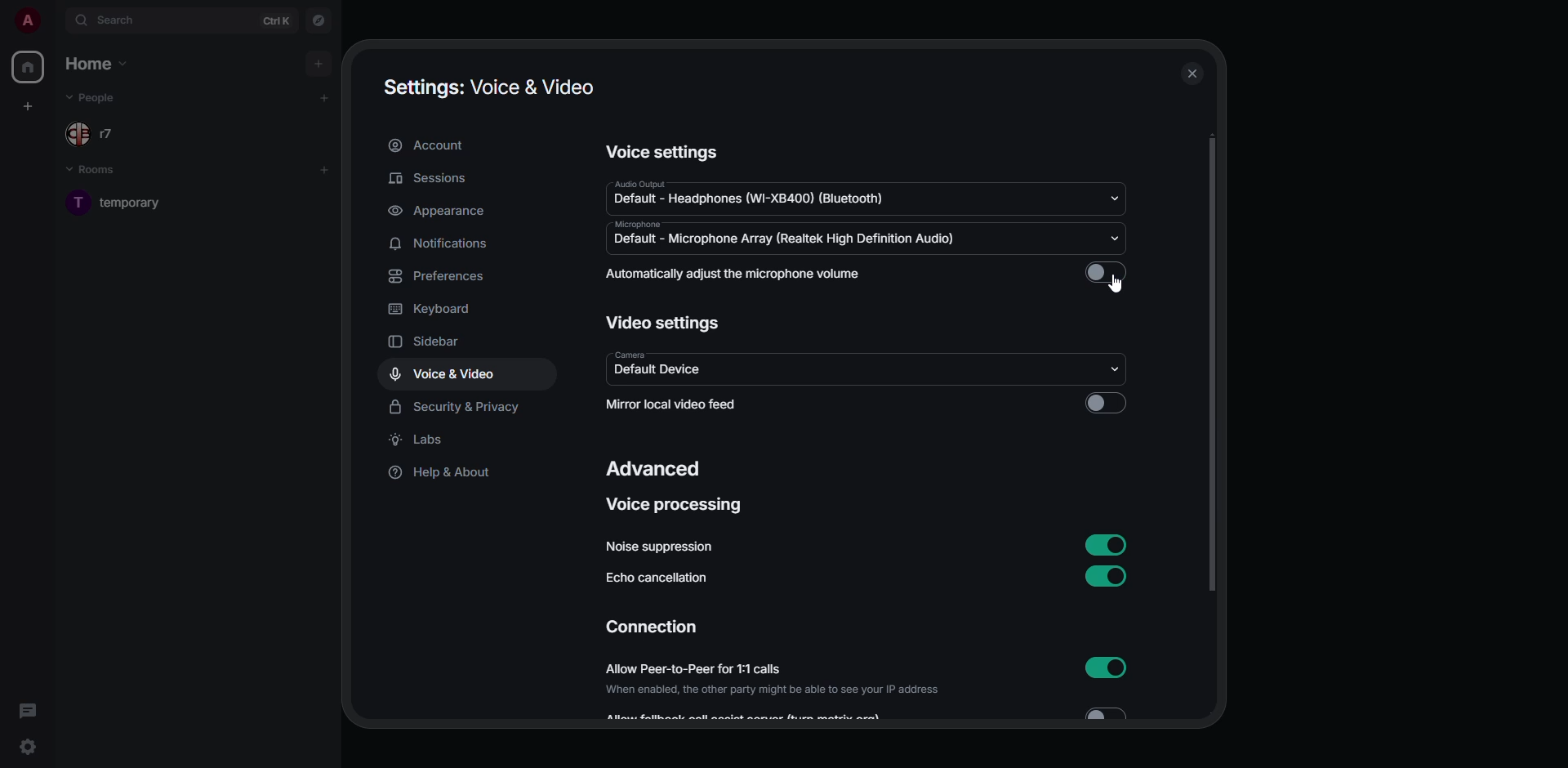 The image size is (1568, 768). I want to click on voice processing, so click(674, 503).